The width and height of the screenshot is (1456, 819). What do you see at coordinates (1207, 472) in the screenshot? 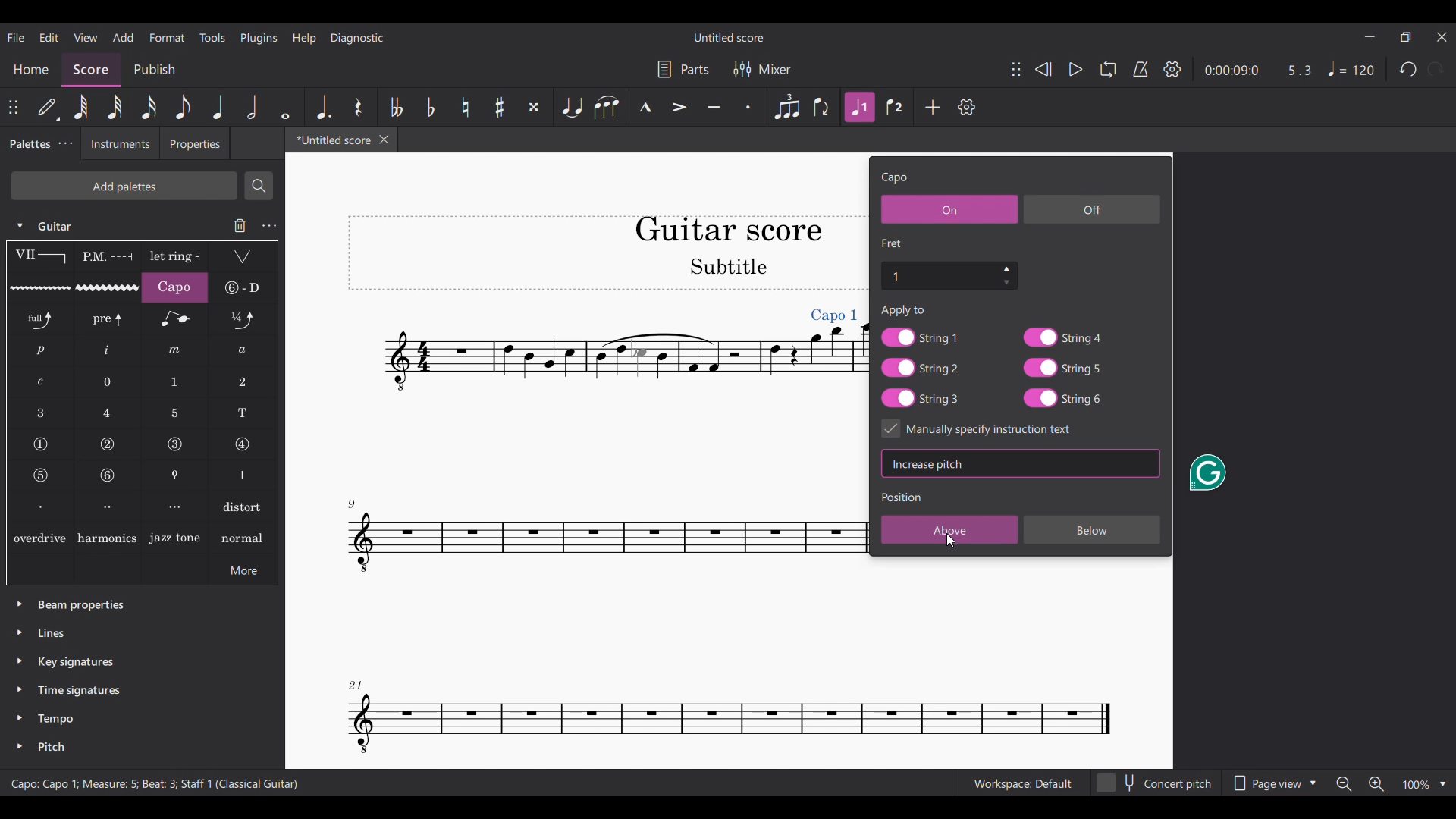
I see `Grammarly extension` at bounding box center [1207, 472].